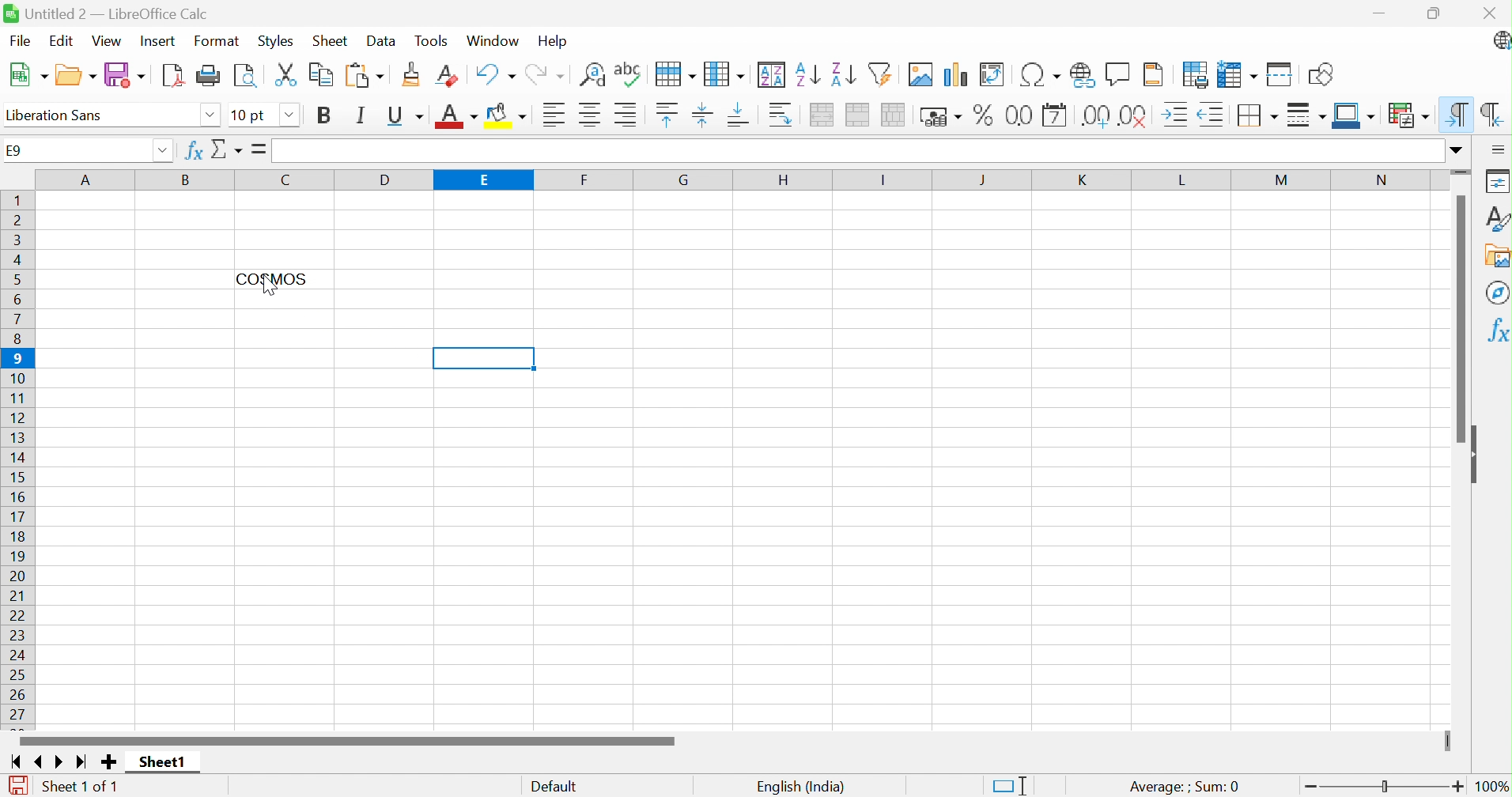 Image resolution: width=1512 pixels, height=797 pixels. I want to click on Data, so click(381, 40).